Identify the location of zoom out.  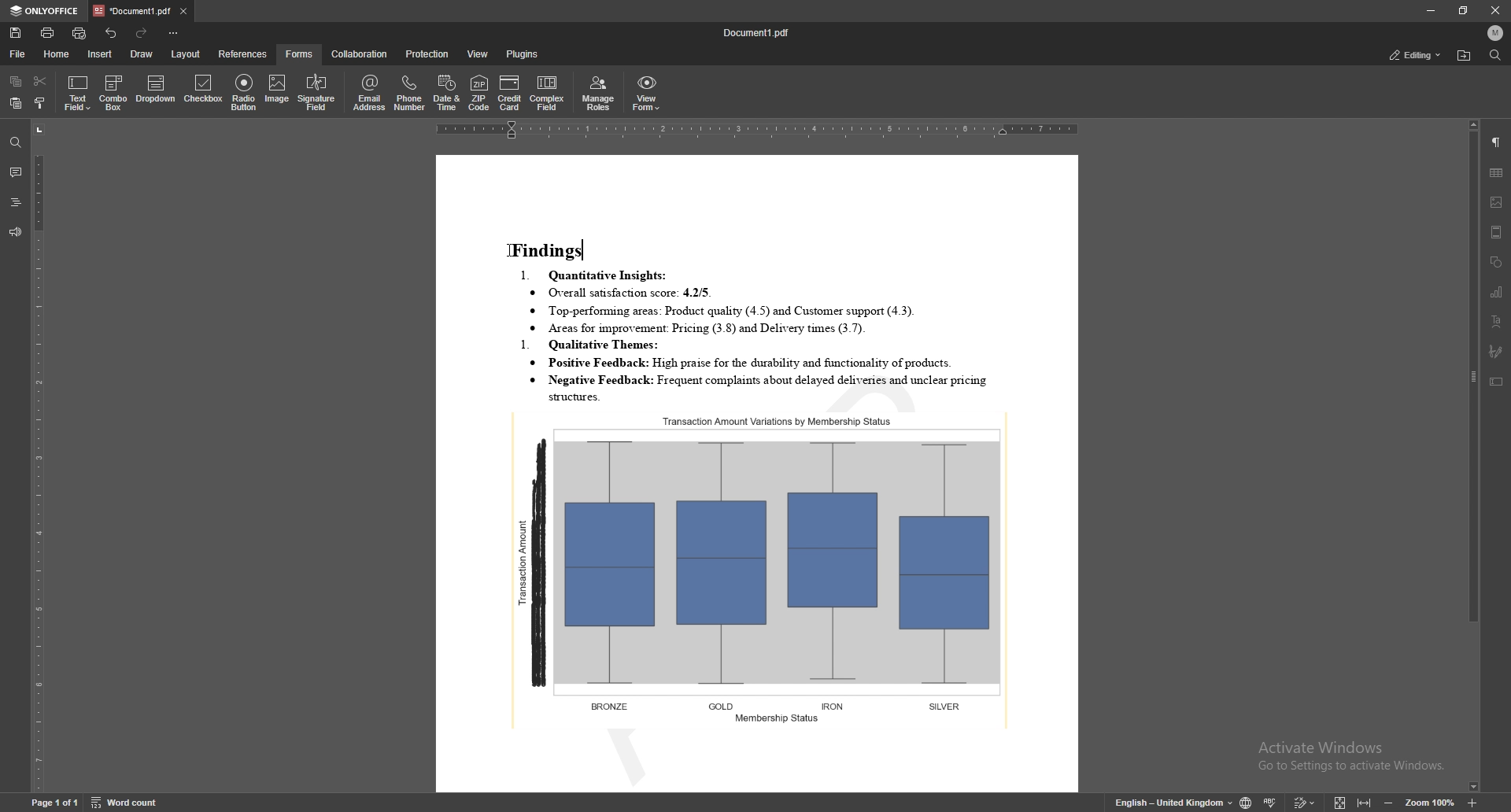
(1389, 803).